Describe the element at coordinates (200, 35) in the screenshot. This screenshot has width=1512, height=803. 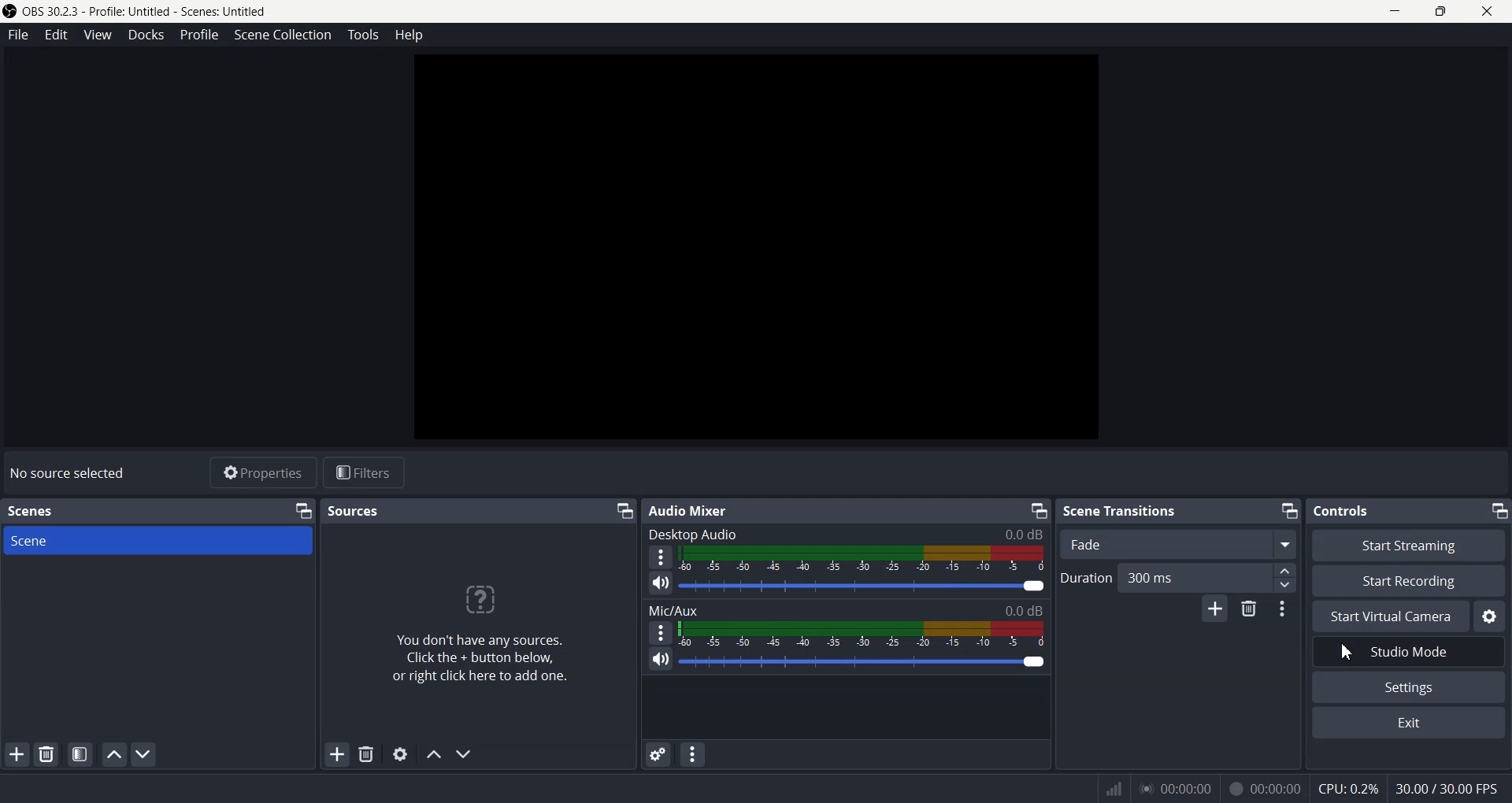
I see `Profile` at that location.